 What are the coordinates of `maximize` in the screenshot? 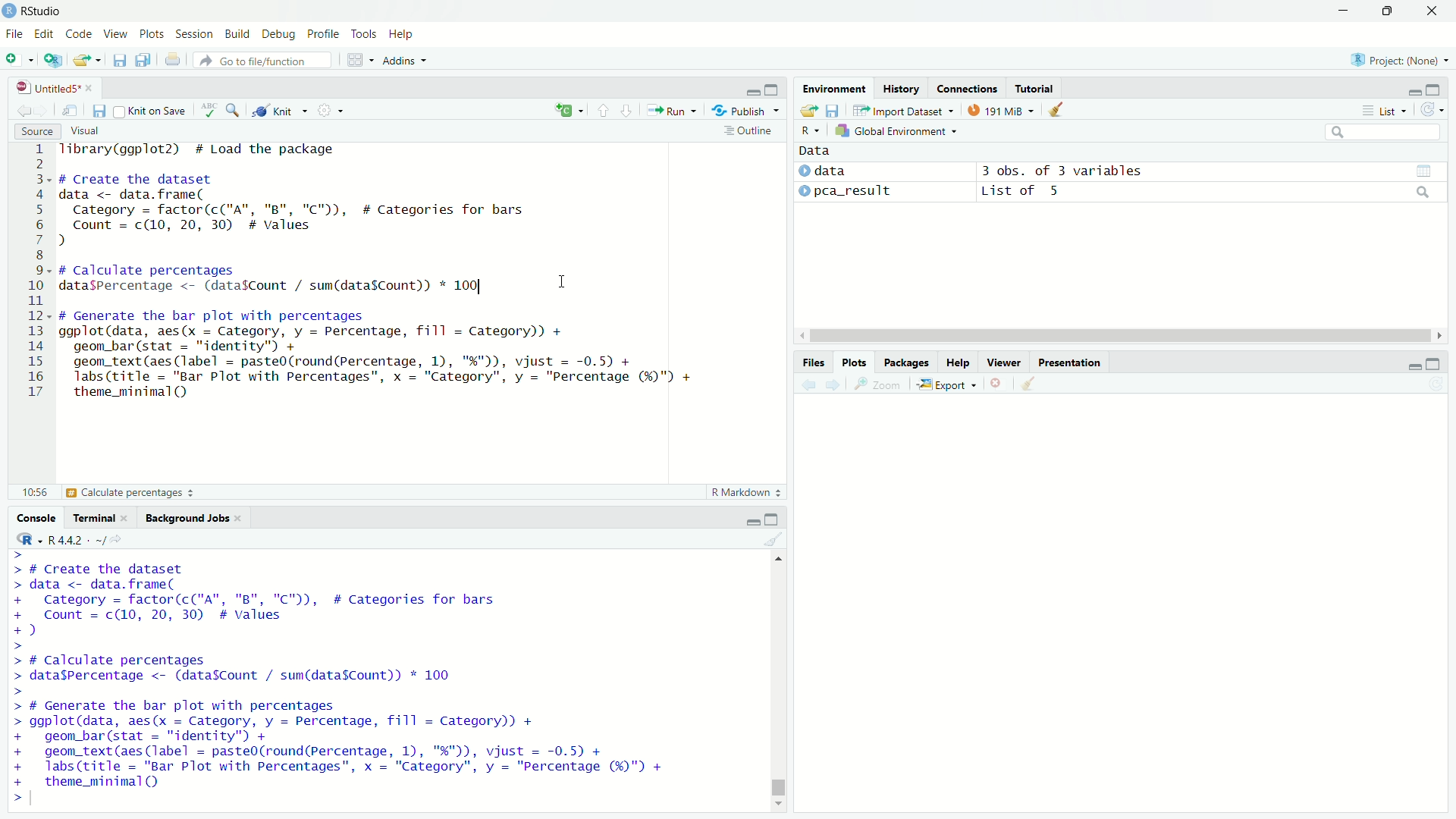 It's located at (774, 88).